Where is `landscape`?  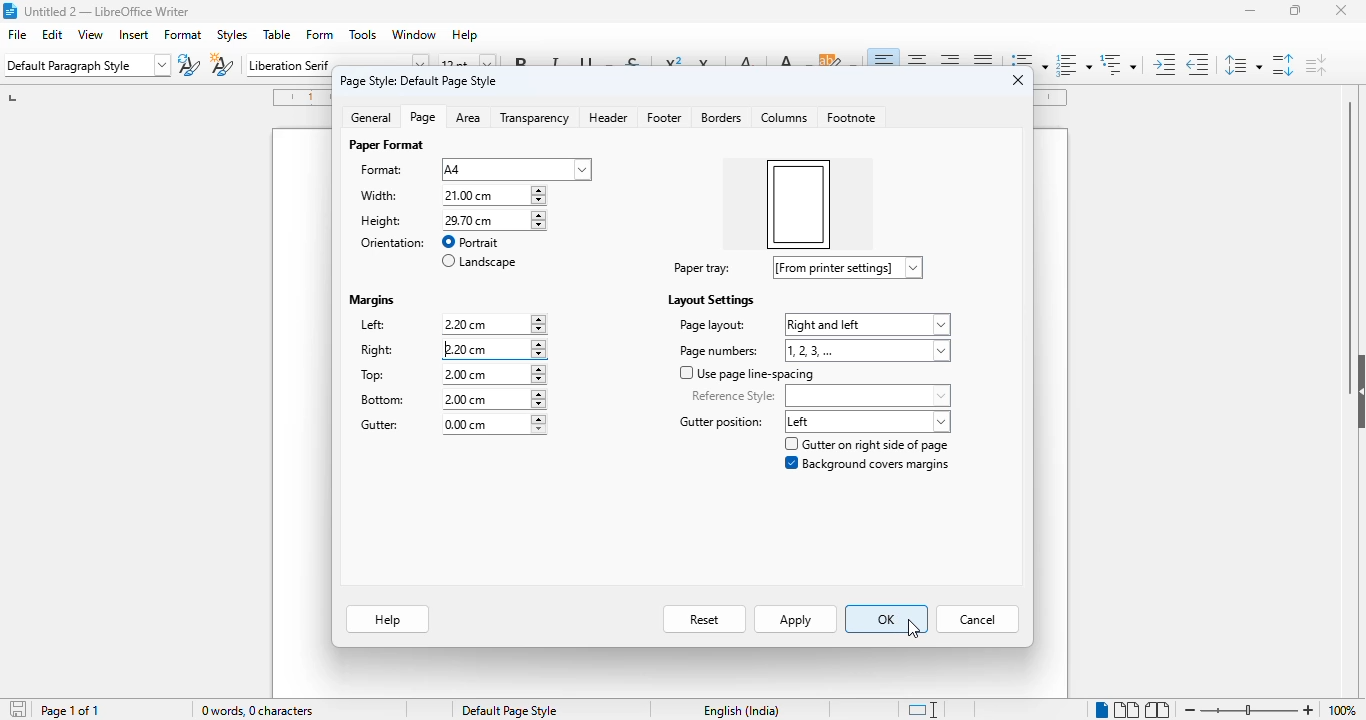
landscape is located at coordinates (480, 261).